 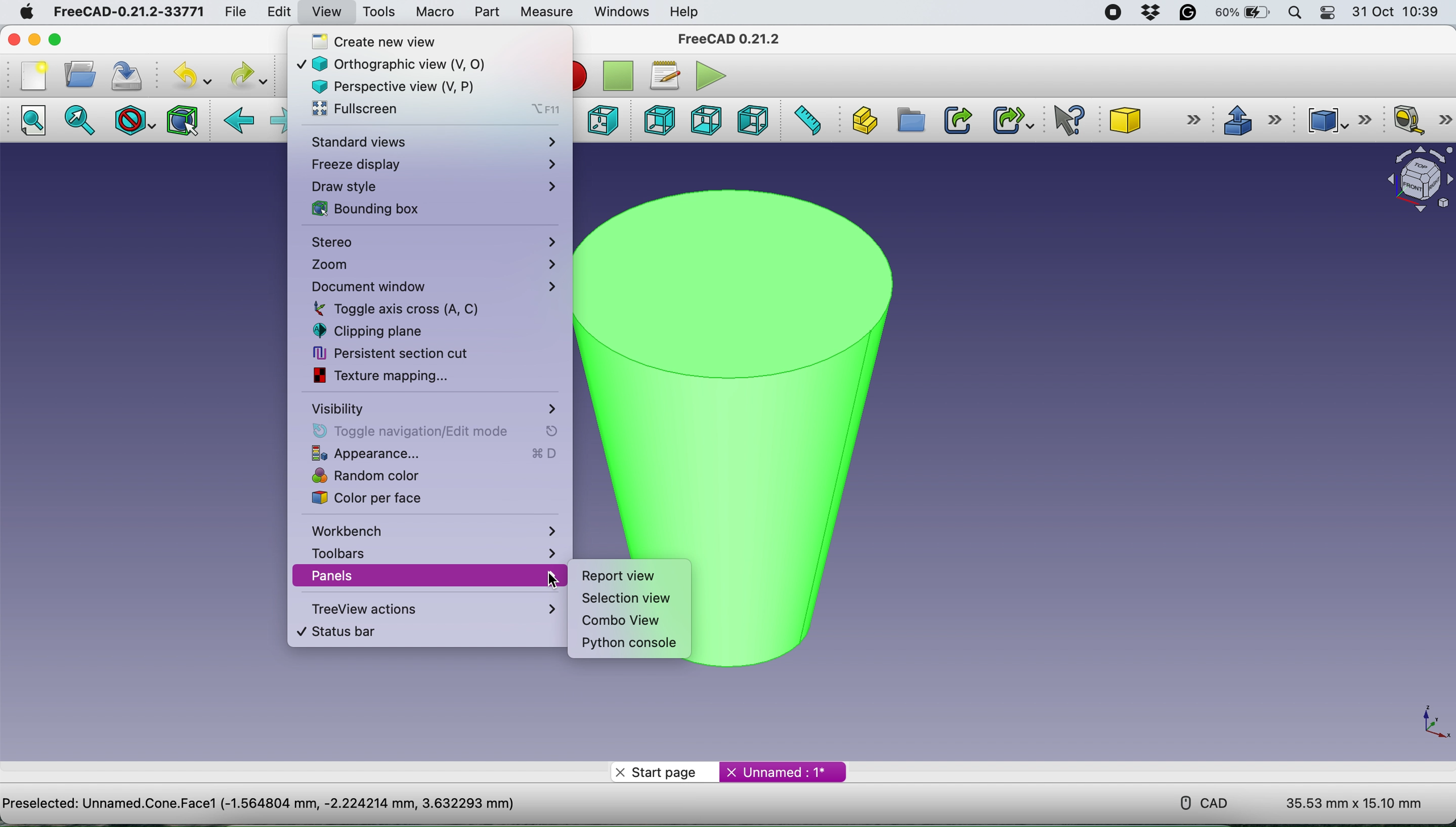 What do you see at coordinates (631, 644) in the screenshot?
I see `python console ` at bounding box center [631, 644].